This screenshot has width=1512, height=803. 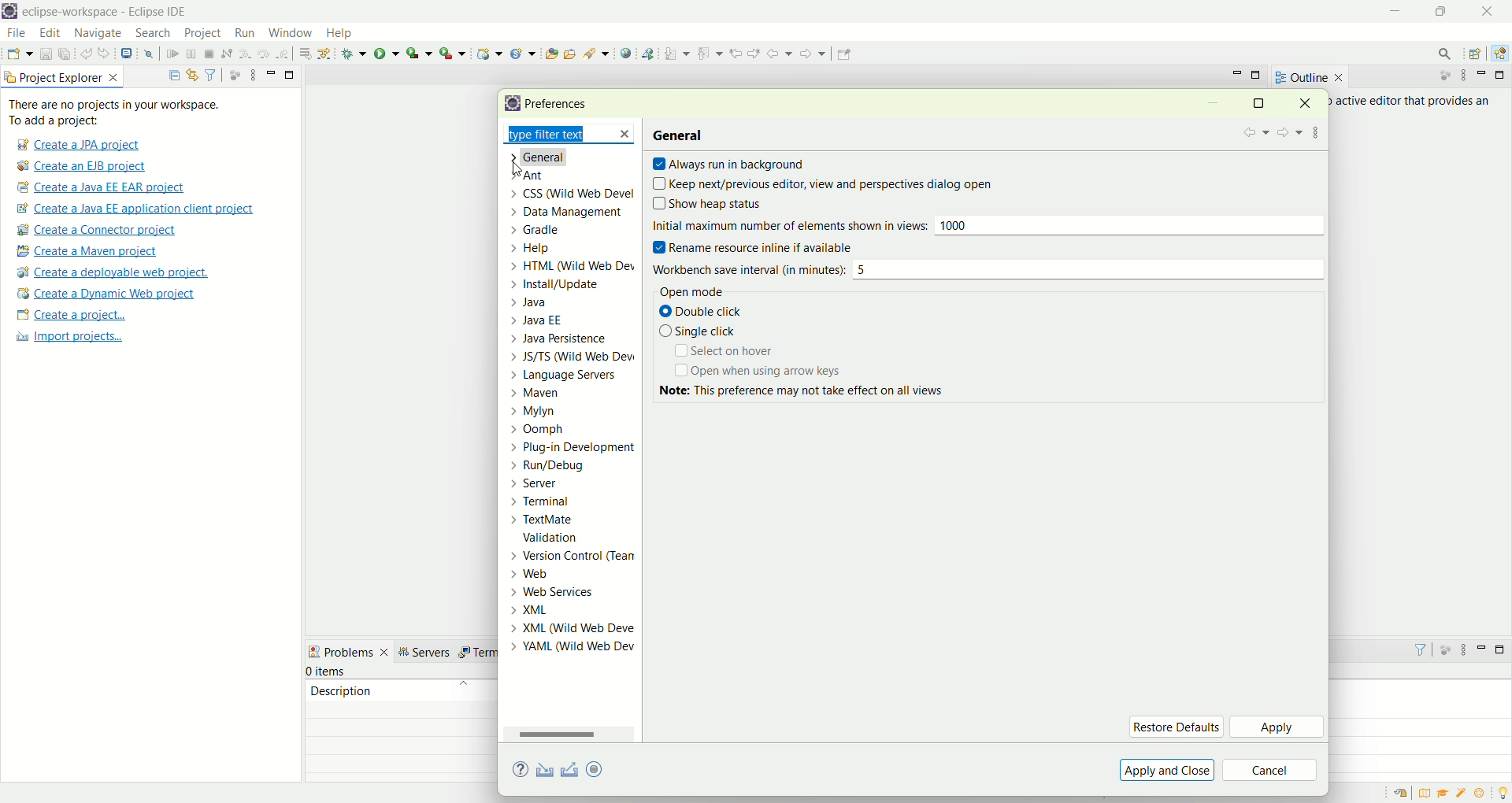 What do you see at coordinates (626, 54) in the screenshot?
I see `open web browser` at bounding box center [626, 54].